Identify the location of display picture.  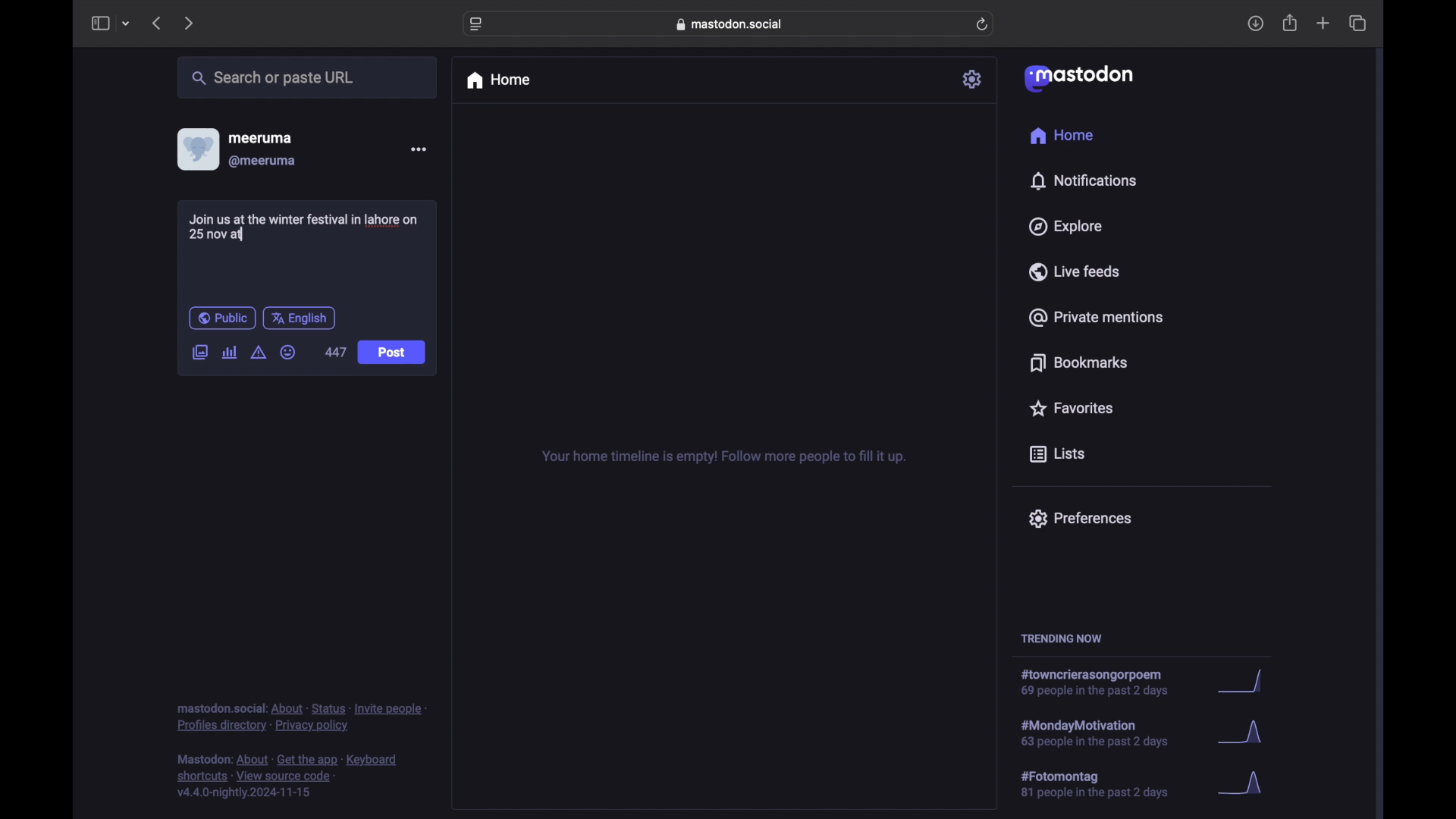
(196, 149).